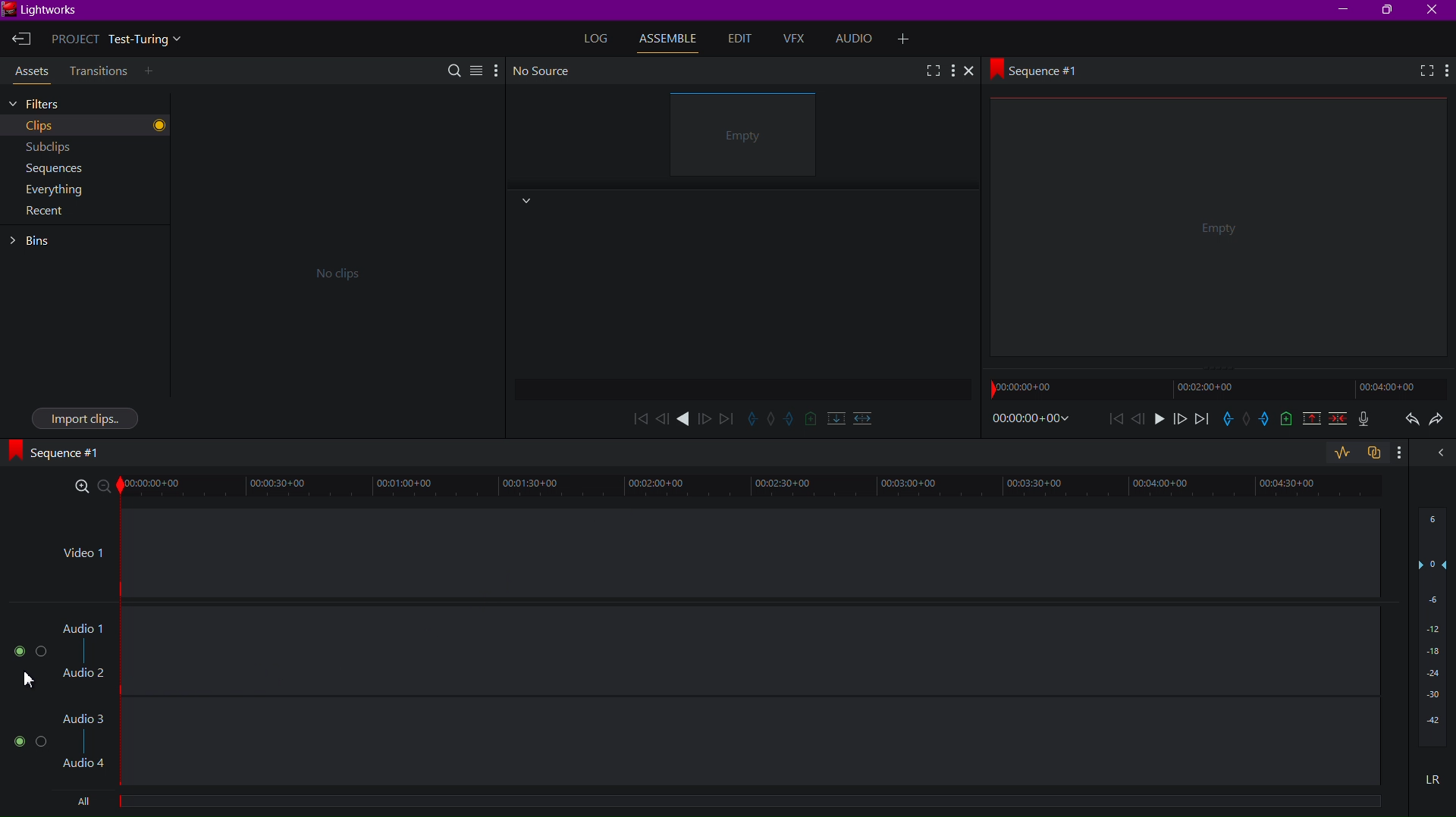  I want to click on Audio 1, so click(81, 630).